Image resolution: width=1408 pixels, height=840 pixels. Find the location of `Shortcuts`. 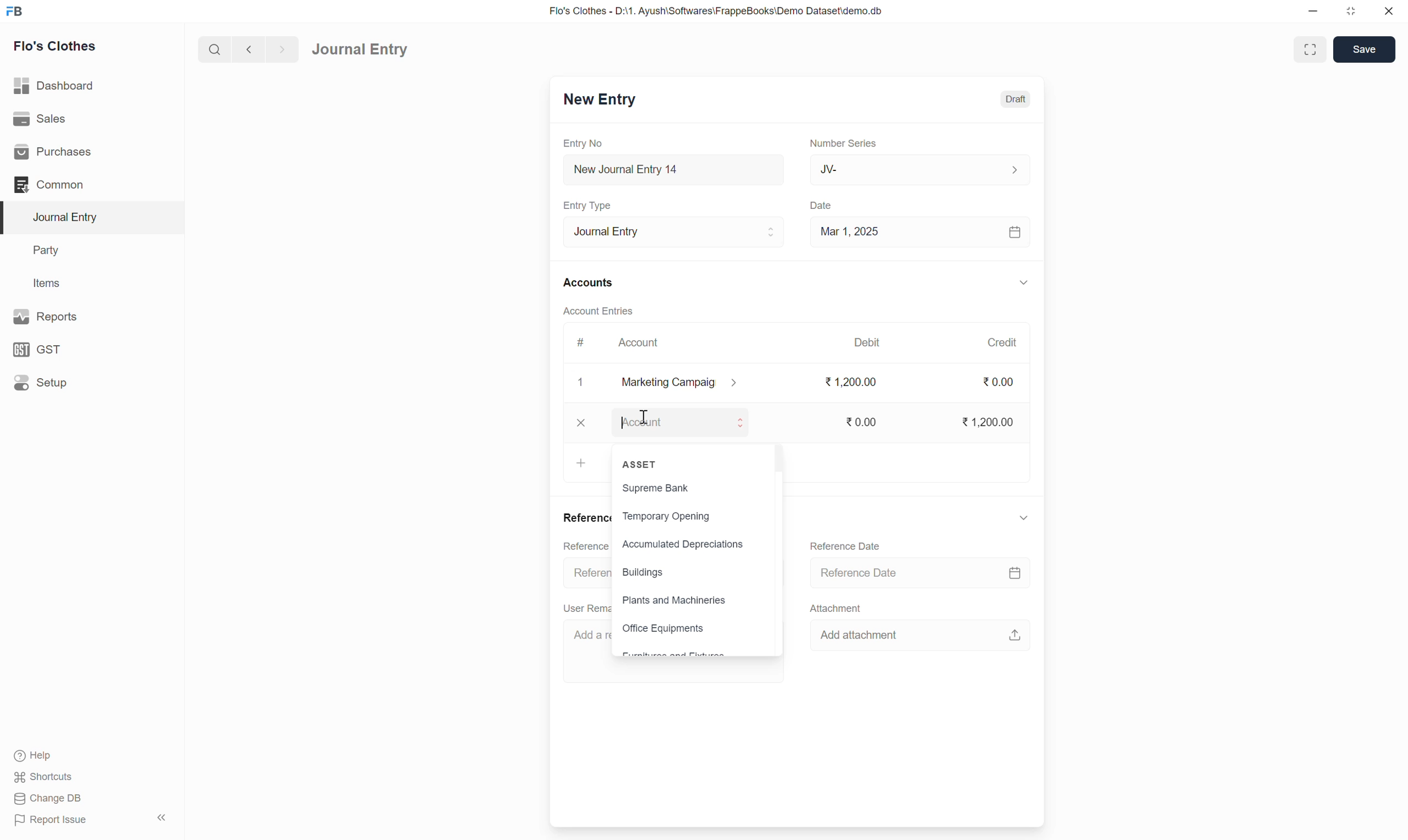

Shortcuts is located at coordinates (48, 777).